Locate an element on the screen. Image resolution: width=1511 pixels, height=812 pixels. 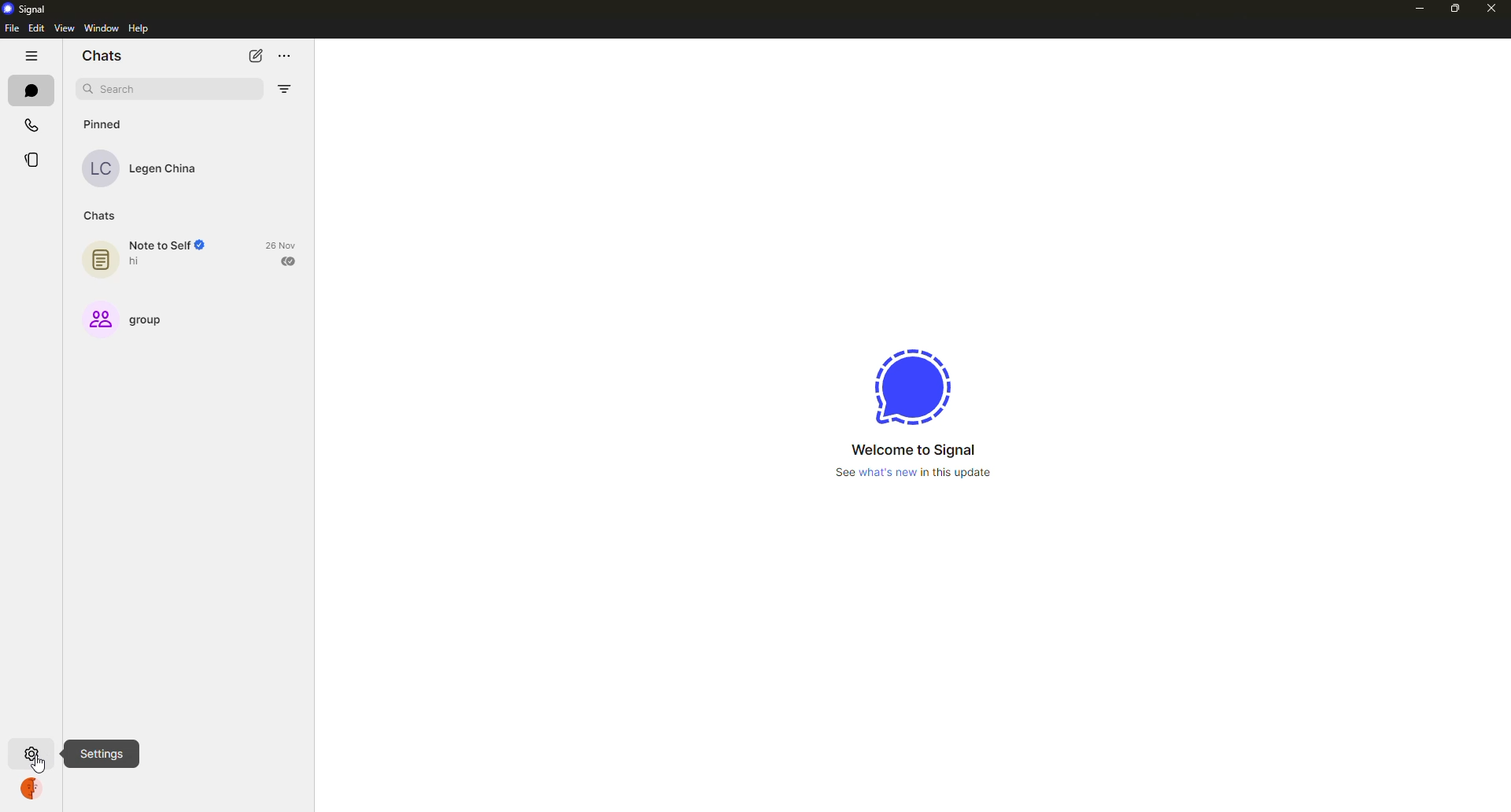
more is located at coordinates (286, 57).